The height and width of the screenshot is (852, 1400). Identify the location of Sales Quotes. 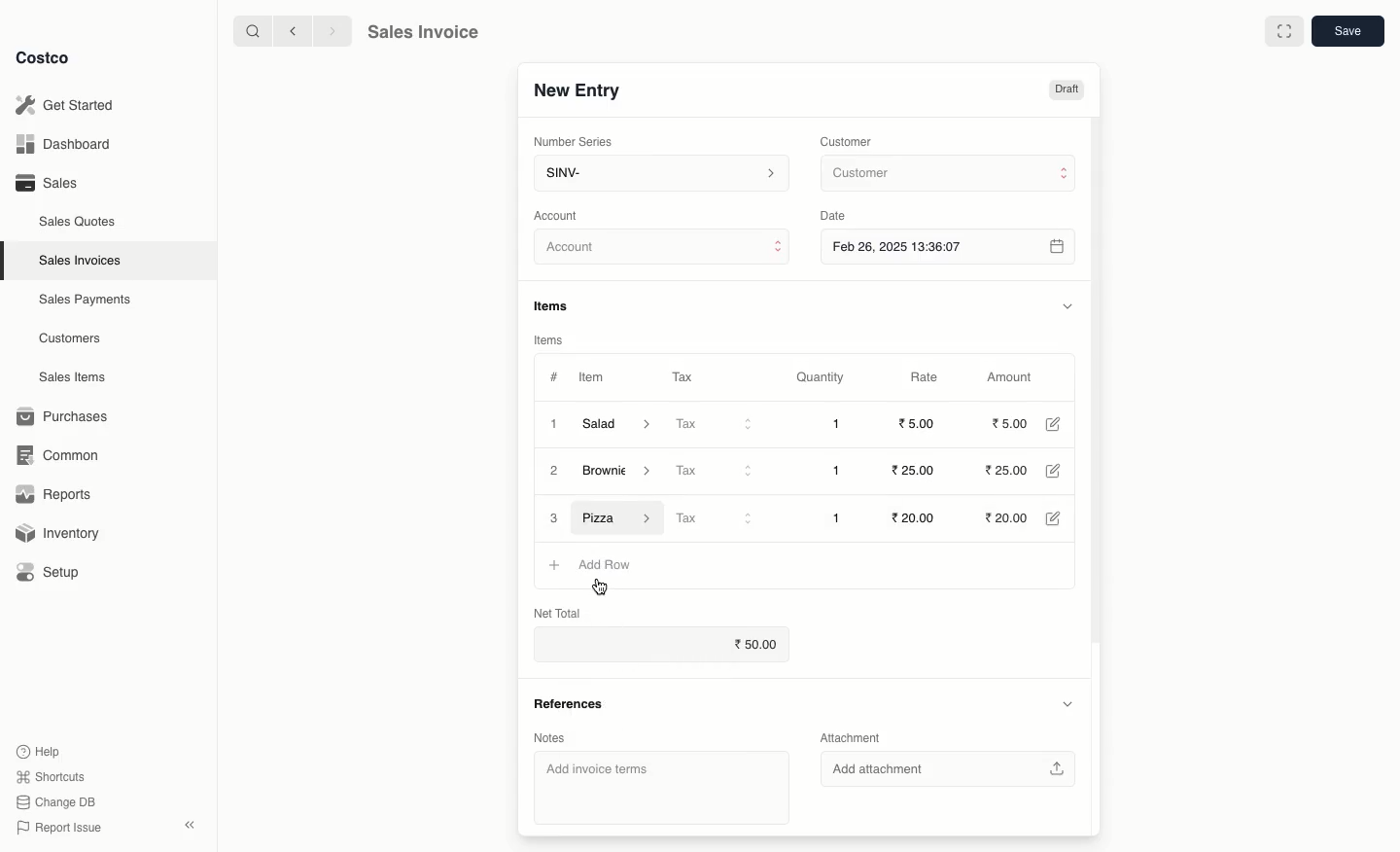
(80, 221).